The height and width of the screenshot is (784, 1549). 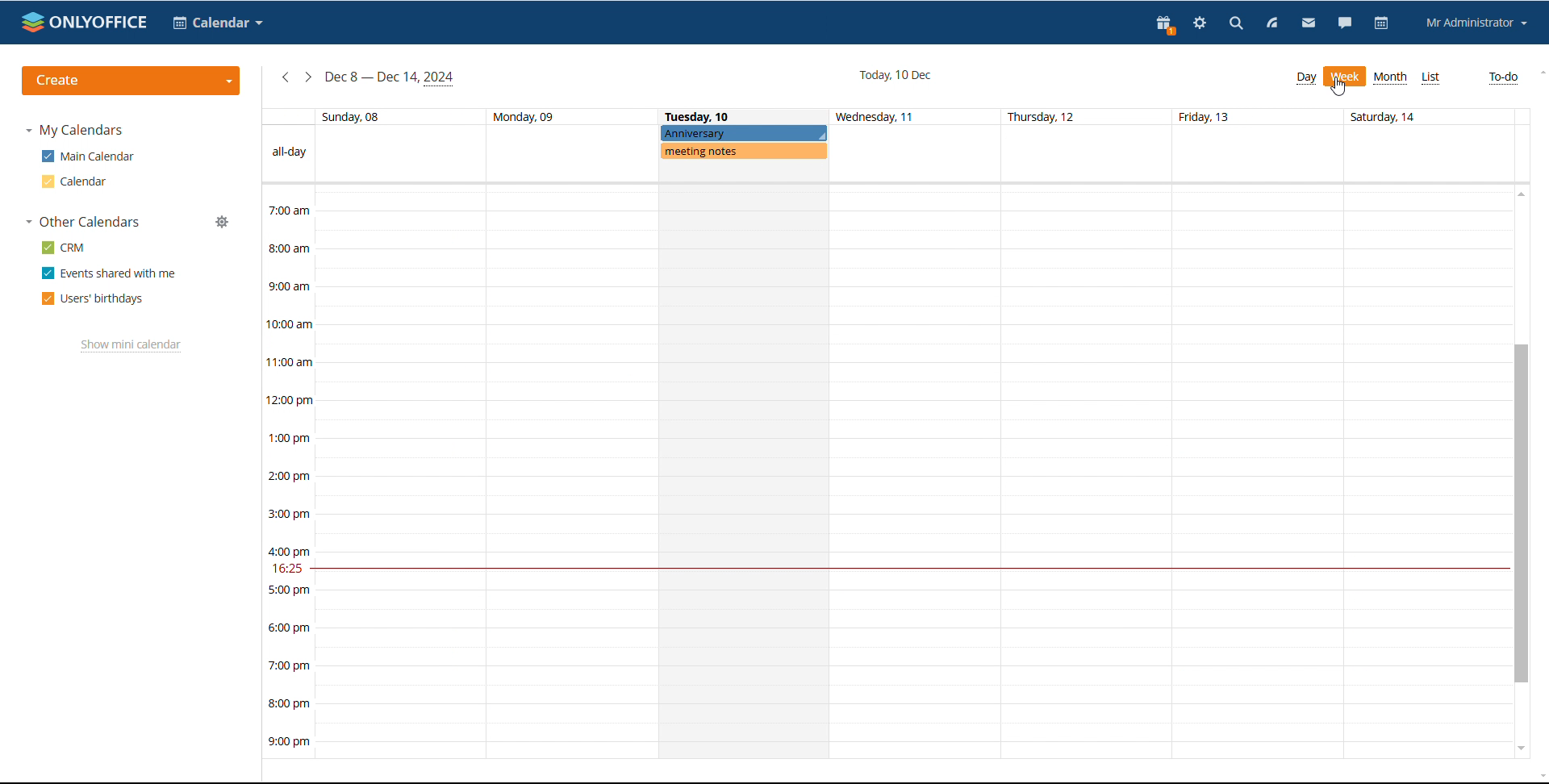 I want to click on talk, so click(x=1345, y=23).